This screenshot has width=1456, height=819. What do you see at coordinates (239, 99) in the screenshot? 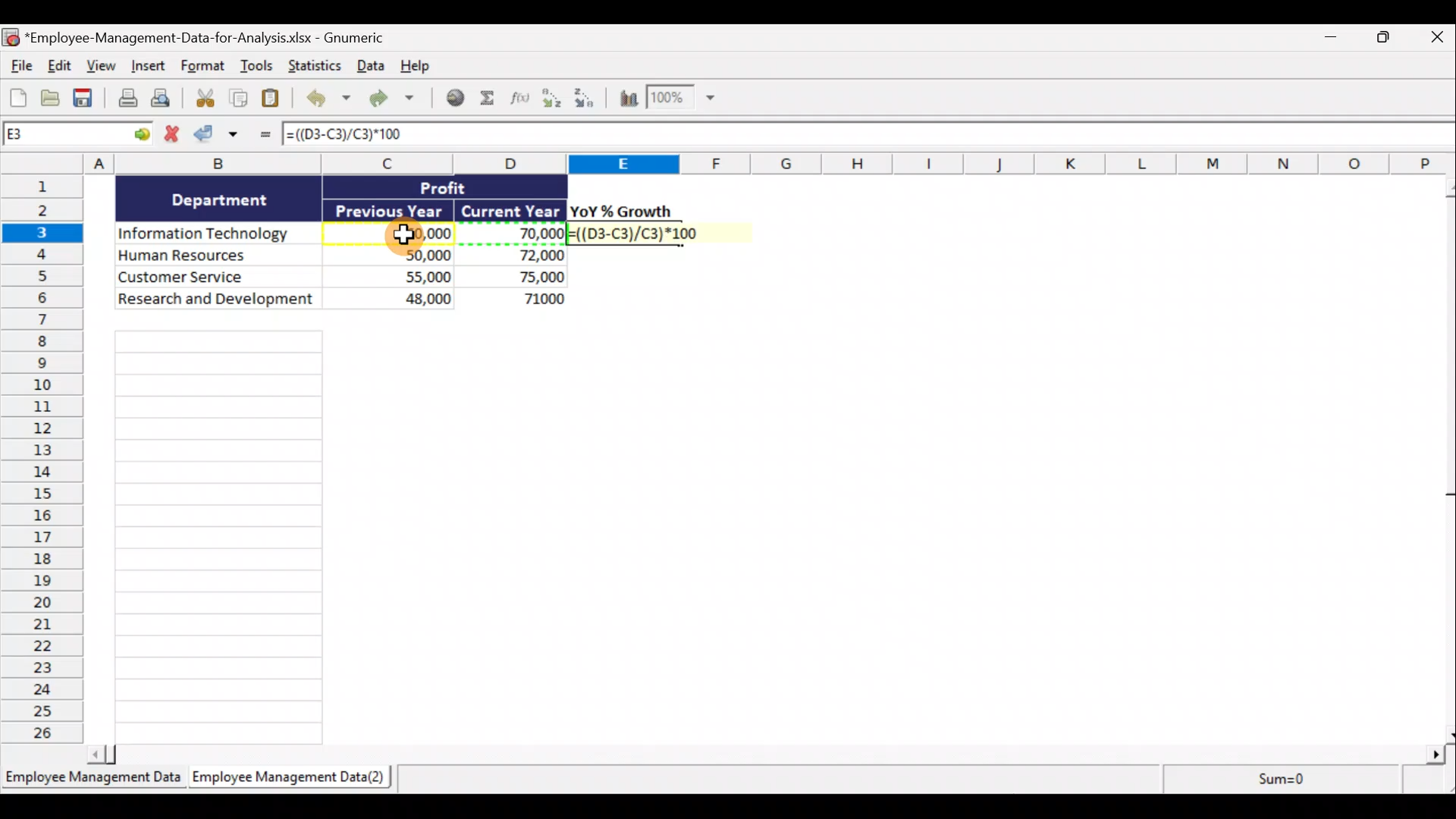
I see `Copy selection` at bounding box center [239, 99].